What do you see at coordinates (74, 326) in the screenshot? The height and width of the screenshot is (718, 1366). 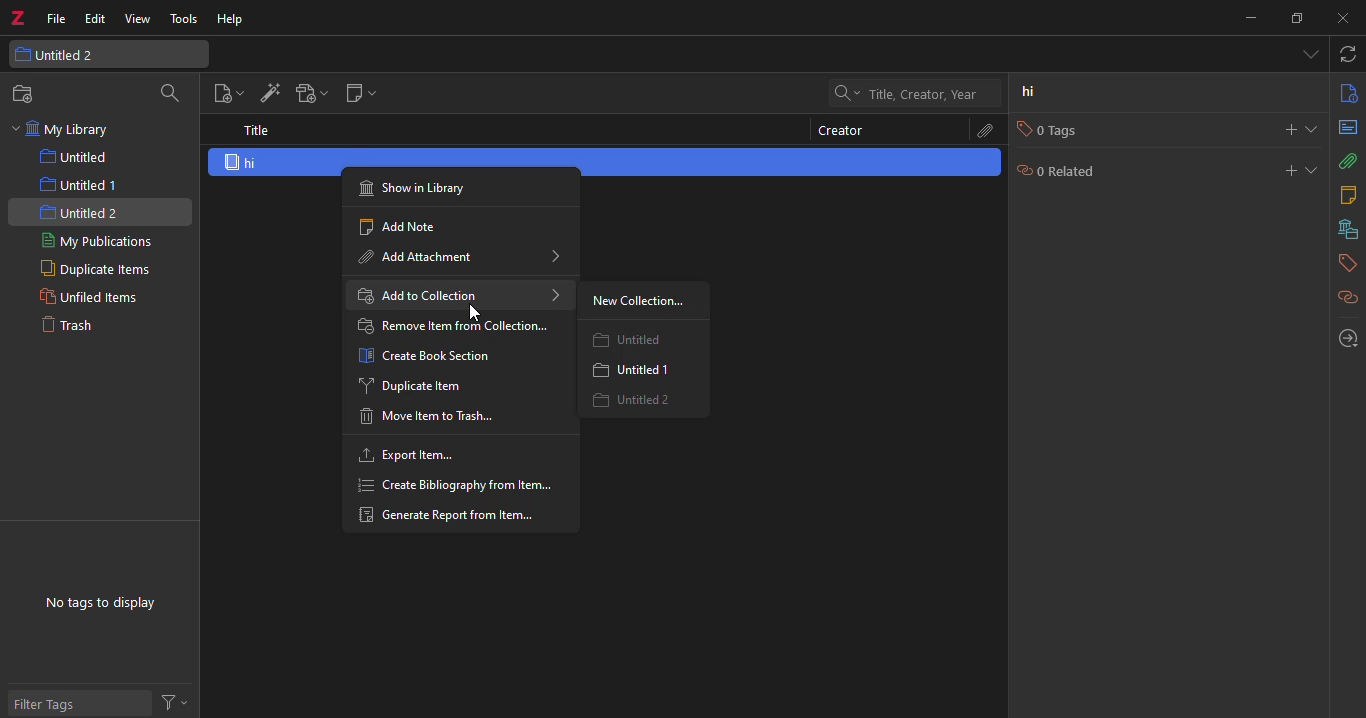 I see `trash` at bounding box center [74, 326].